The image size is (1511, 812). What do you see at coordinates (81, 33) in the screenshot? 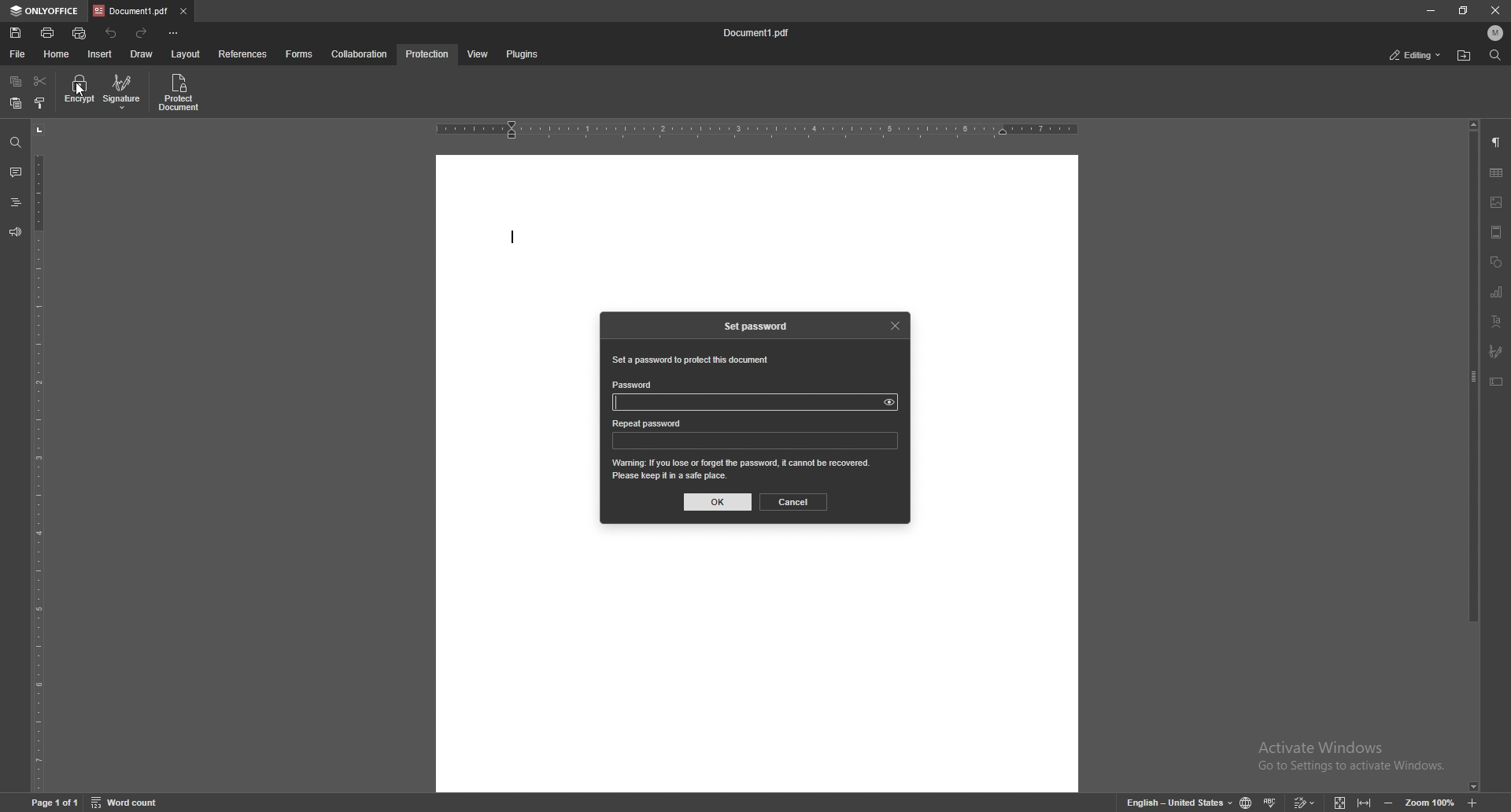
I see `quick print` at bounding box center [81, 33].